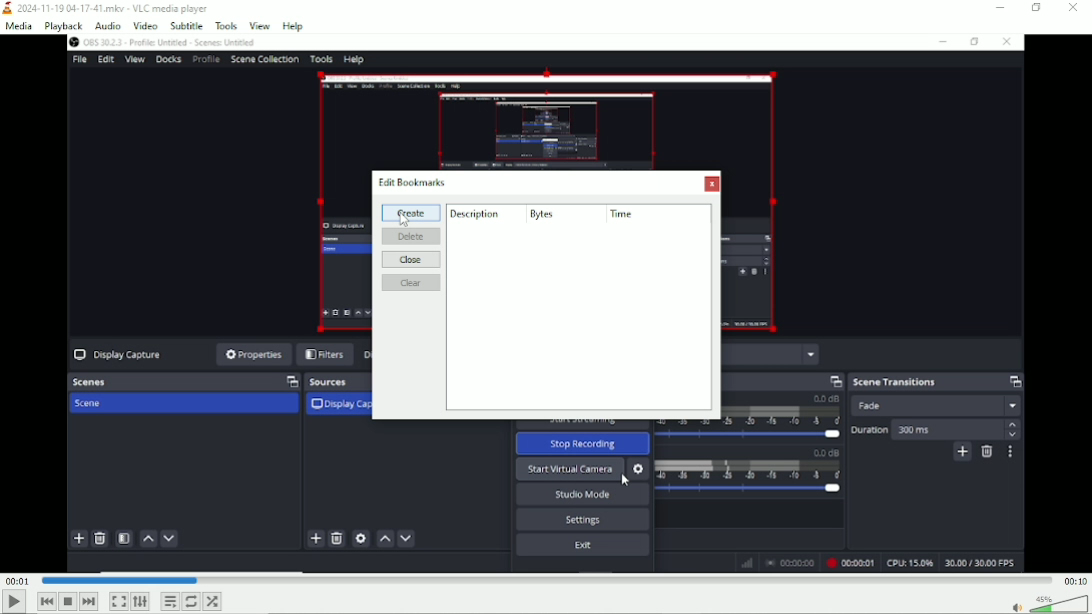  What do you see at coordinates (413, 283) in the screenshot?
I see `Clear` at bounding box center [413, 283].